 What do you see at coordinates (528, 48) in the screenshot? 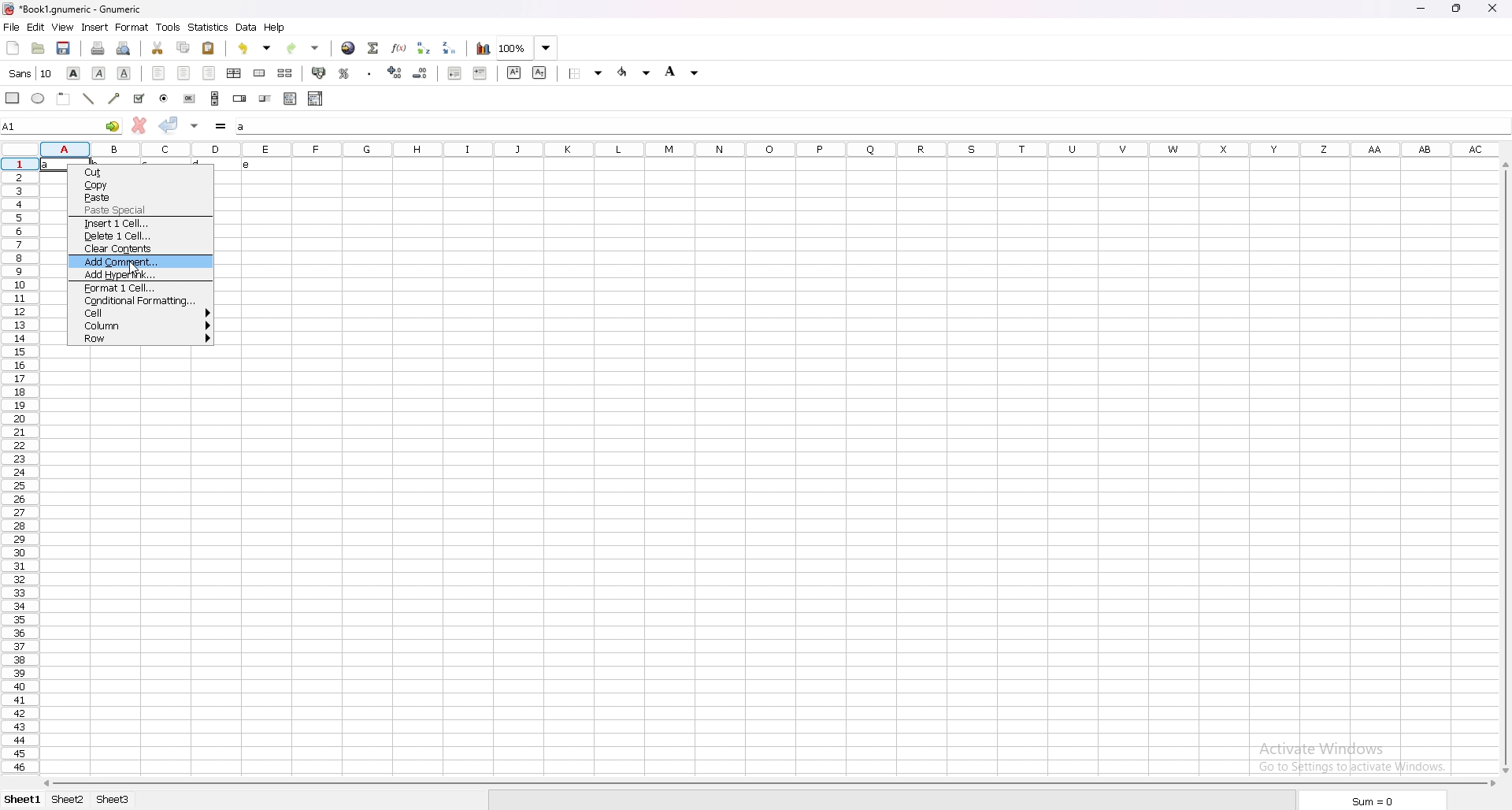
I see `zoom` at bounding box center [528, 48].